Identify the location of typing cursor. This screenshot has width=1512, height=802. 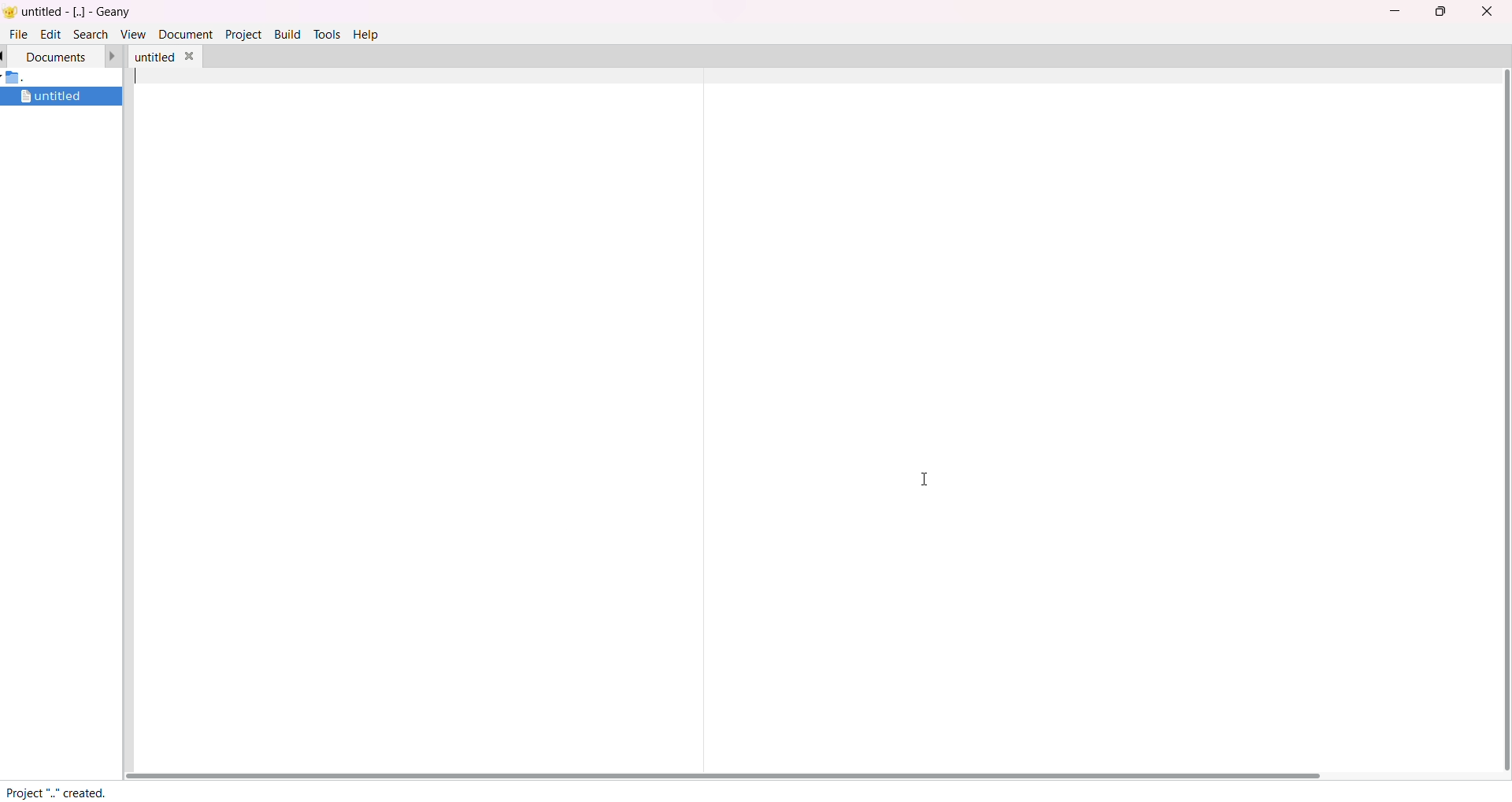
(140, 80).